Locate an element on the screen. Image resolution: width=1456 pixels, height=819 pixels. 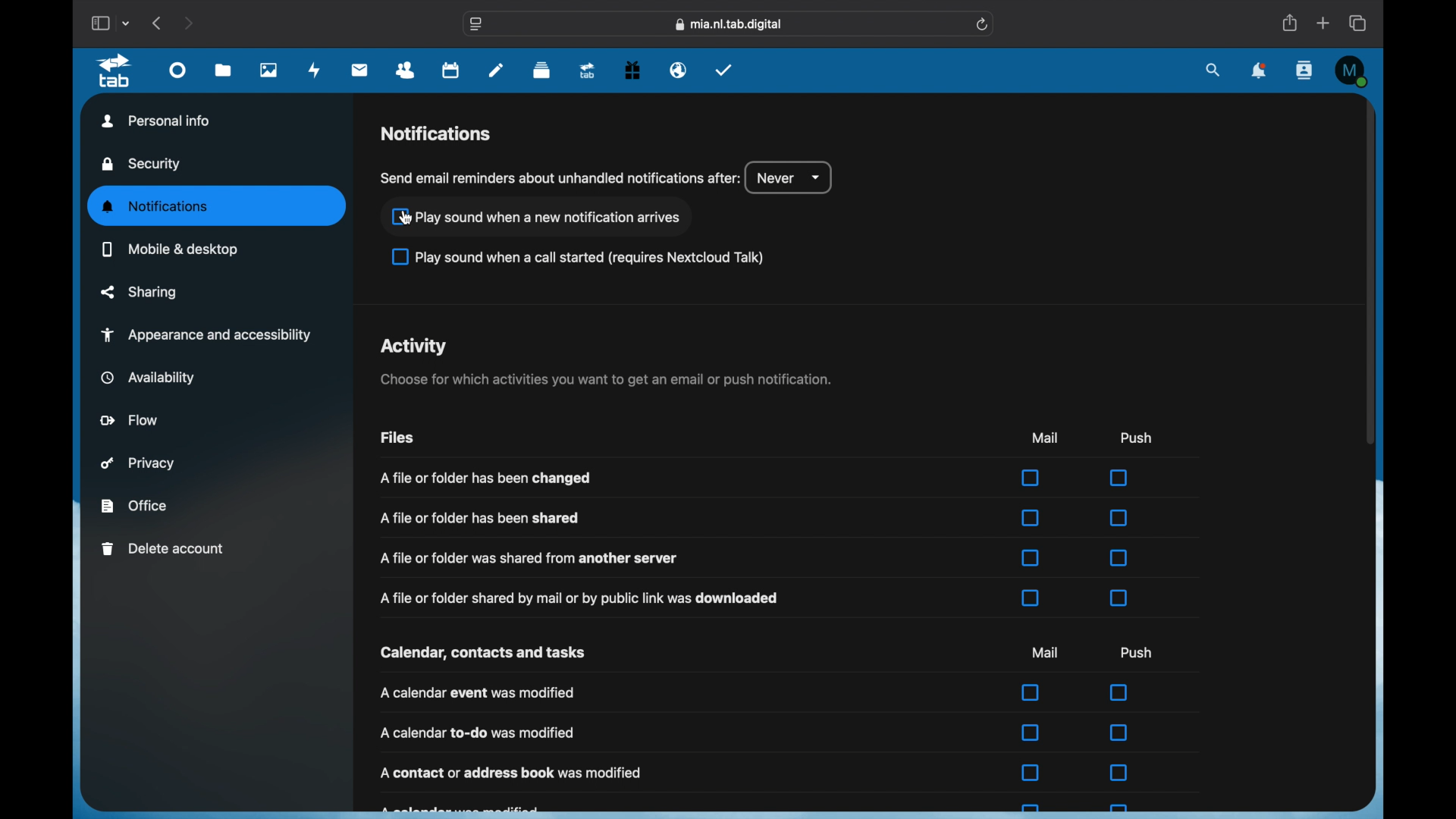
checkbox is located at coordinates (1031, 772).